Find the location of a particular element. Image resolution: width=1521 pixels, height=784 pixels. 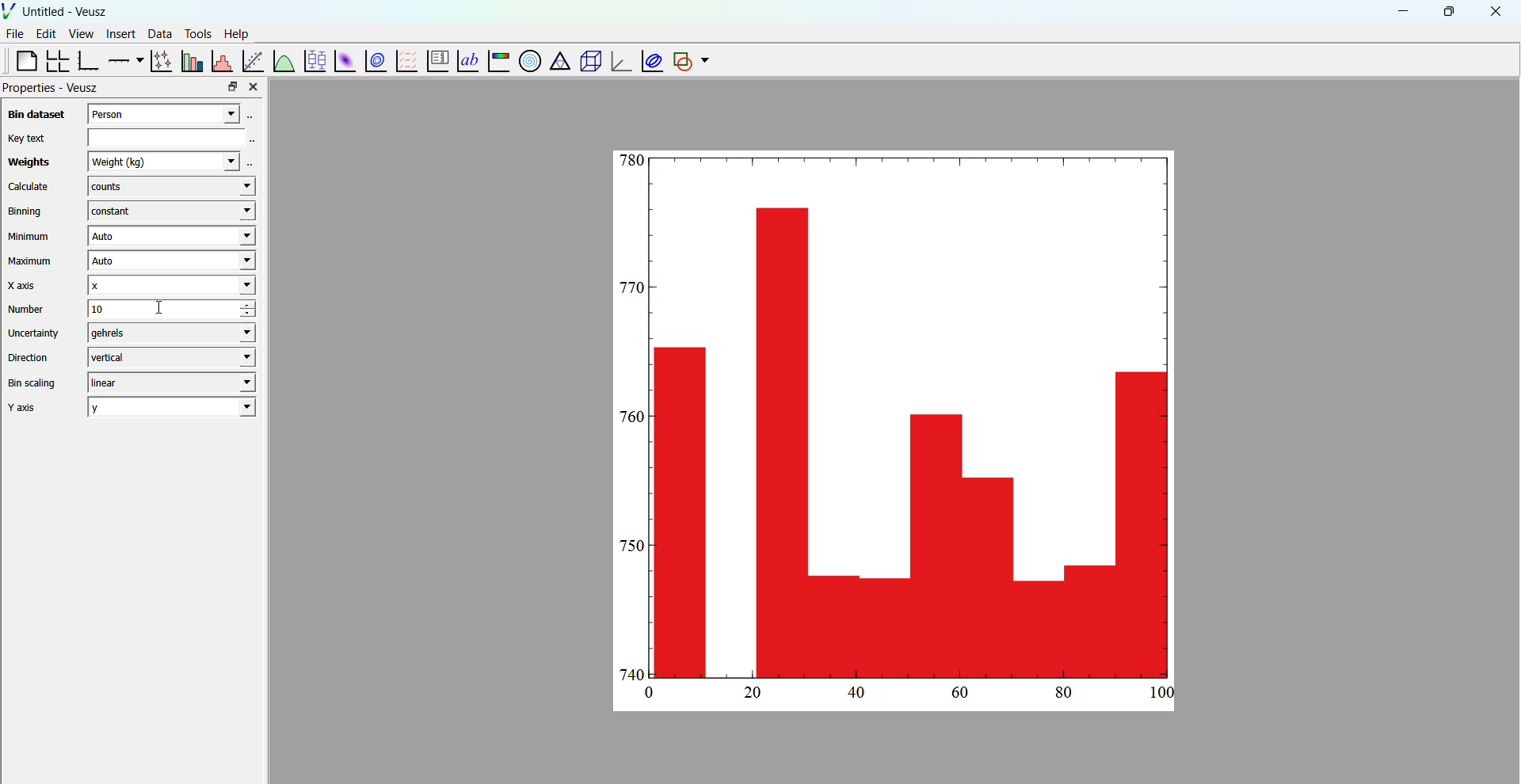

X axis is located at coordinates (26, 285).